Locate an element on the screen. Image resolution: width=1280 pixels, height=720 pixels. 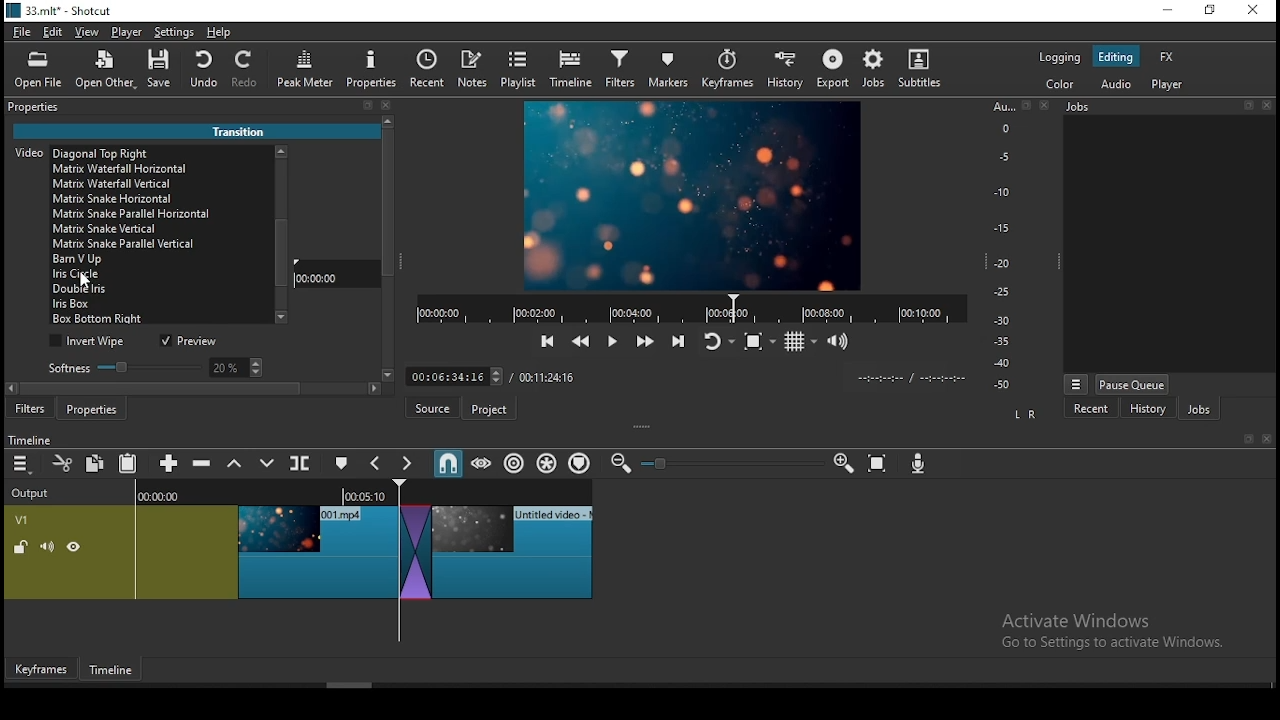
scroll bar is located at coordinates (388, 255).